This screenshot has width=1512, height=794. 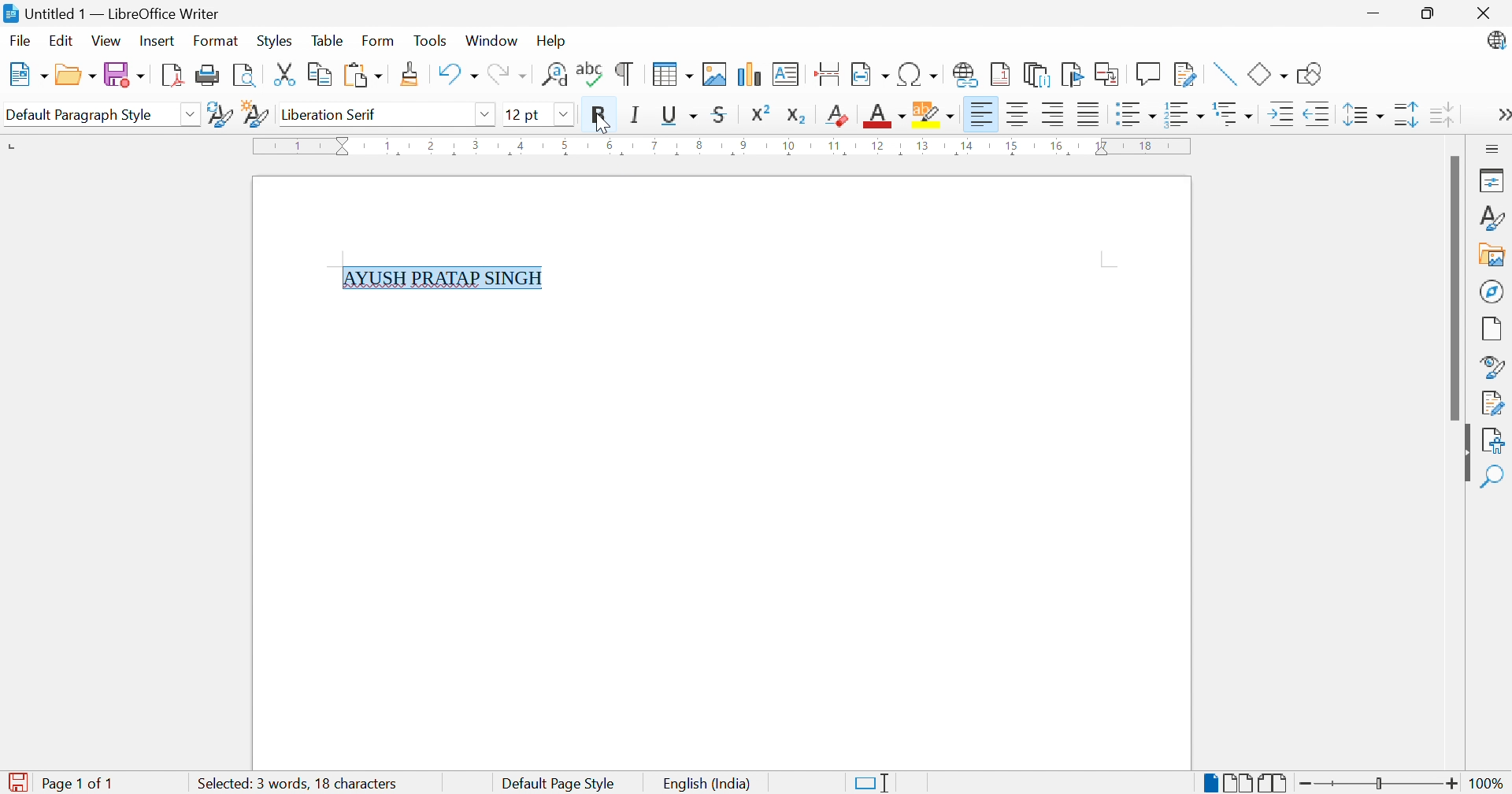 I want to click on Insert Cross-reference, so click(x=1108, y=74).